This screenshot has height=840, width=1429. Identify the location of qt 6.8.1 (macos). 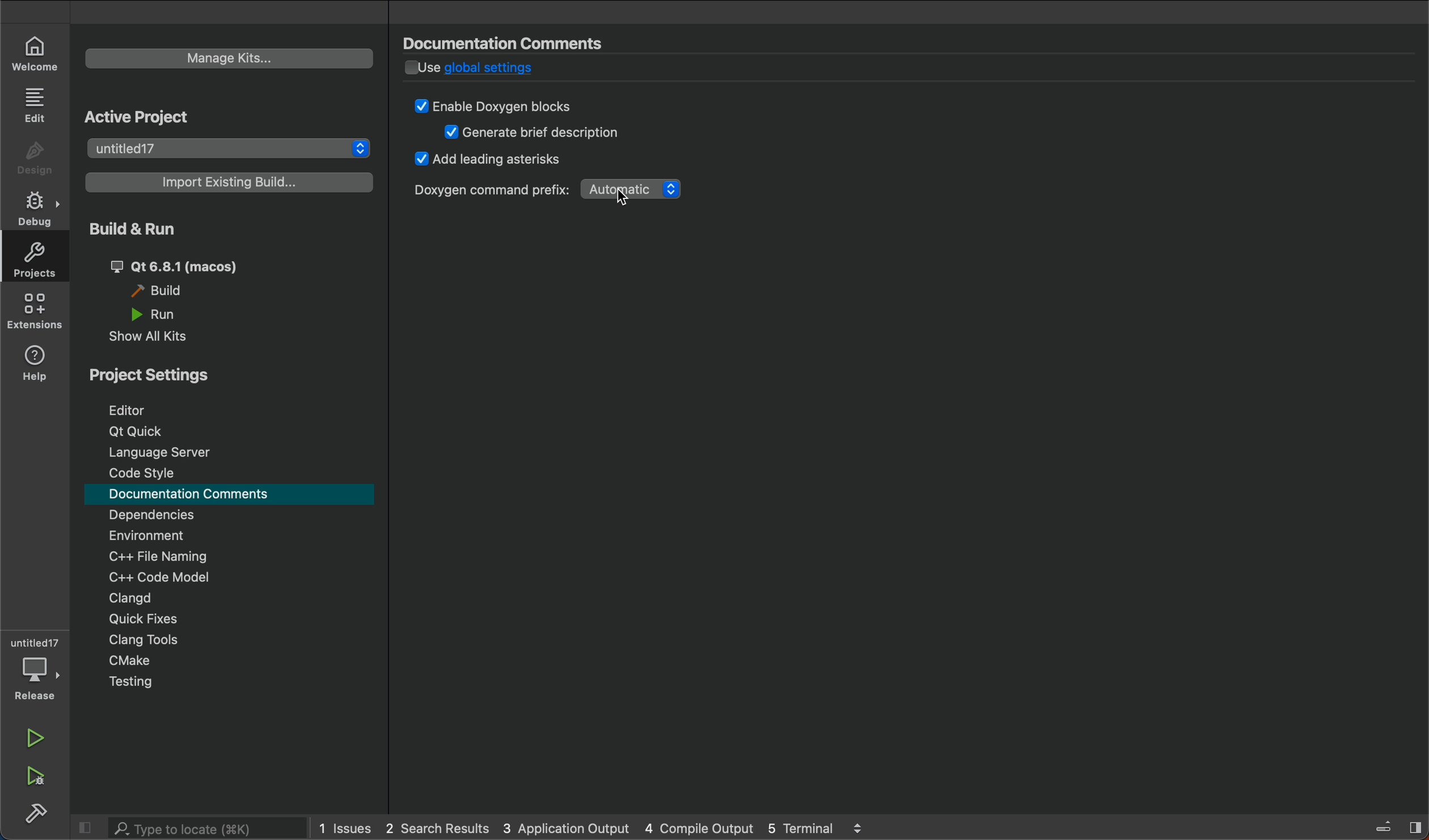
(184, 265).